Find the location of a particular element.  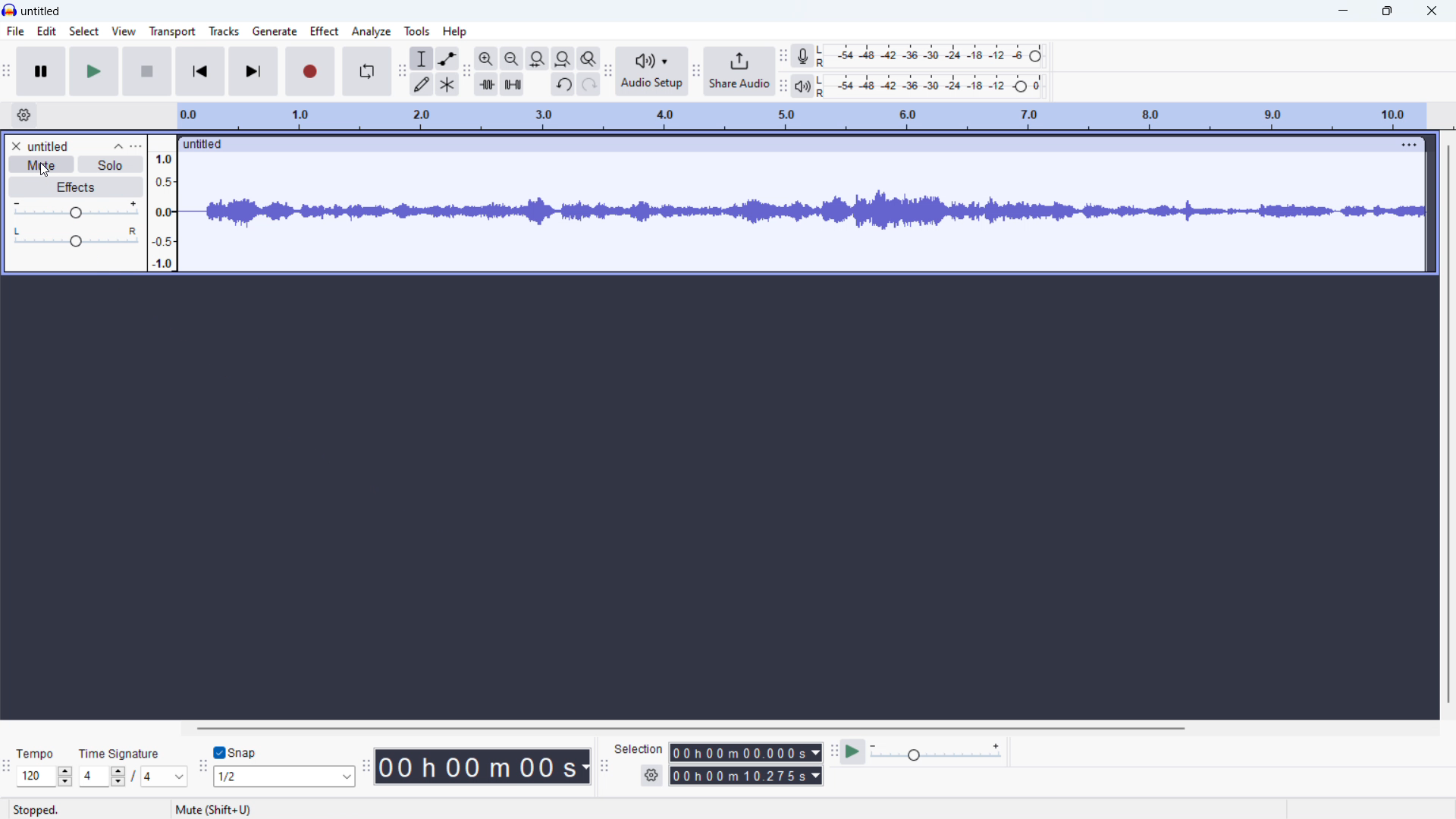

end time is located at coordinates (746, 775).